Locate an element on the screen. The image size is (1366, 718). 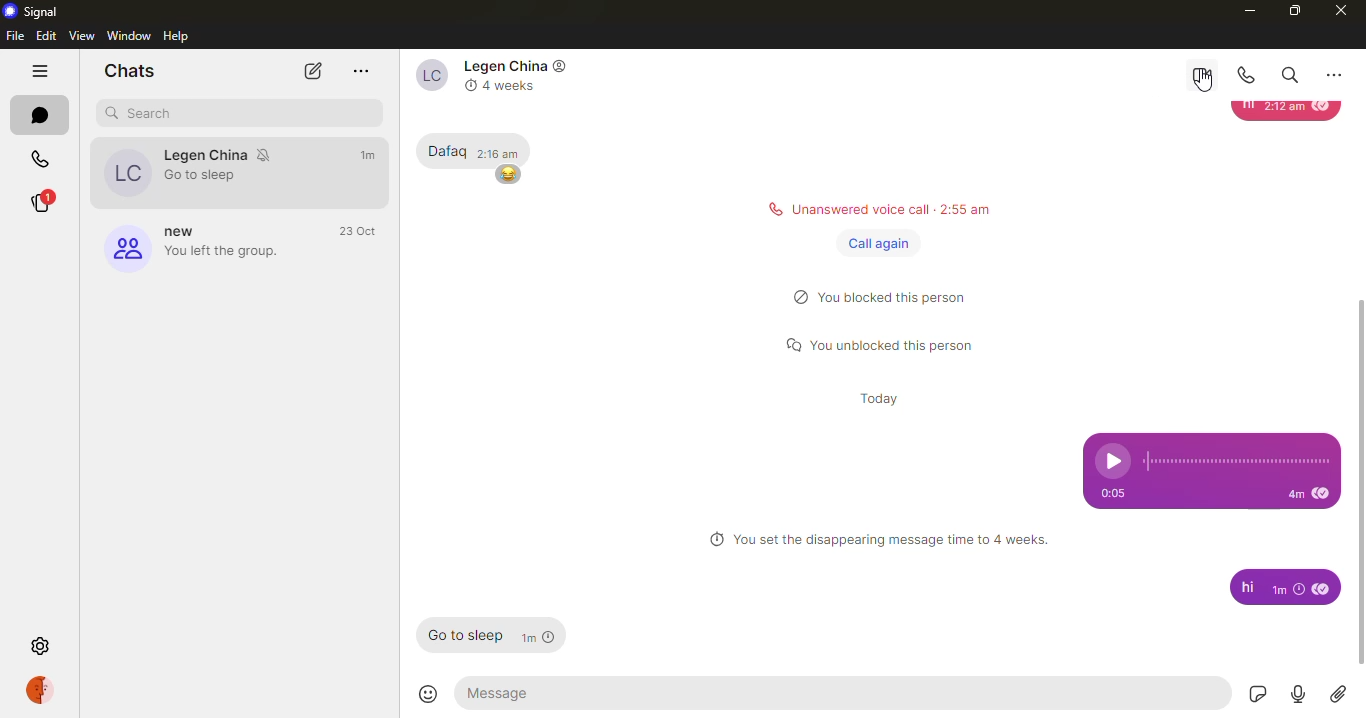
4 weeks is located at coordinates (513, 85).